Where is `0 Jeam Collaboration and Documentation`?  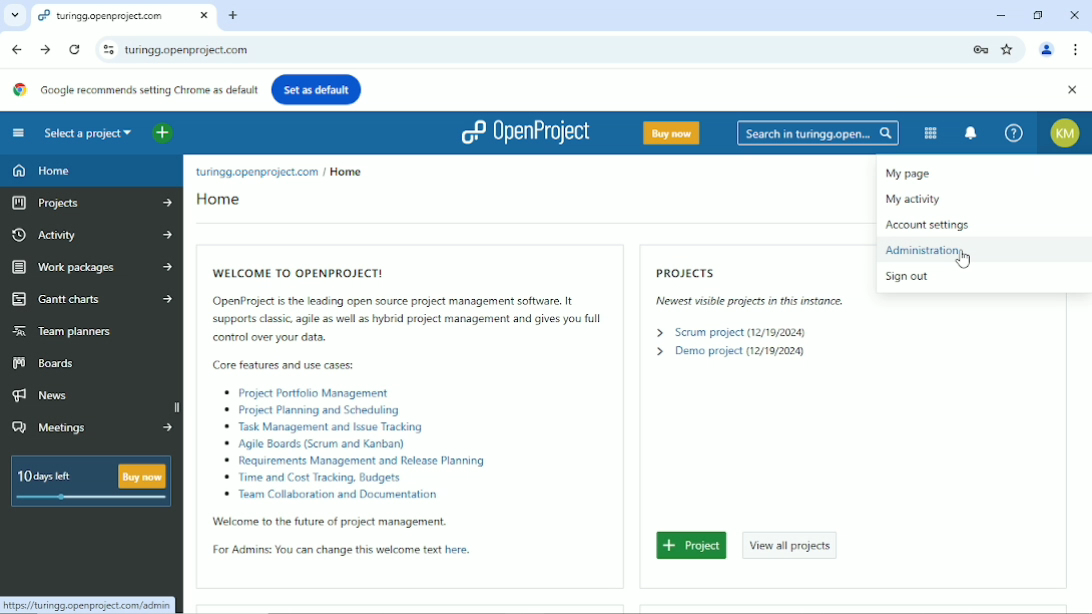 0 Jeam Collaboration and Documentation is located at coordinates (341, 494).